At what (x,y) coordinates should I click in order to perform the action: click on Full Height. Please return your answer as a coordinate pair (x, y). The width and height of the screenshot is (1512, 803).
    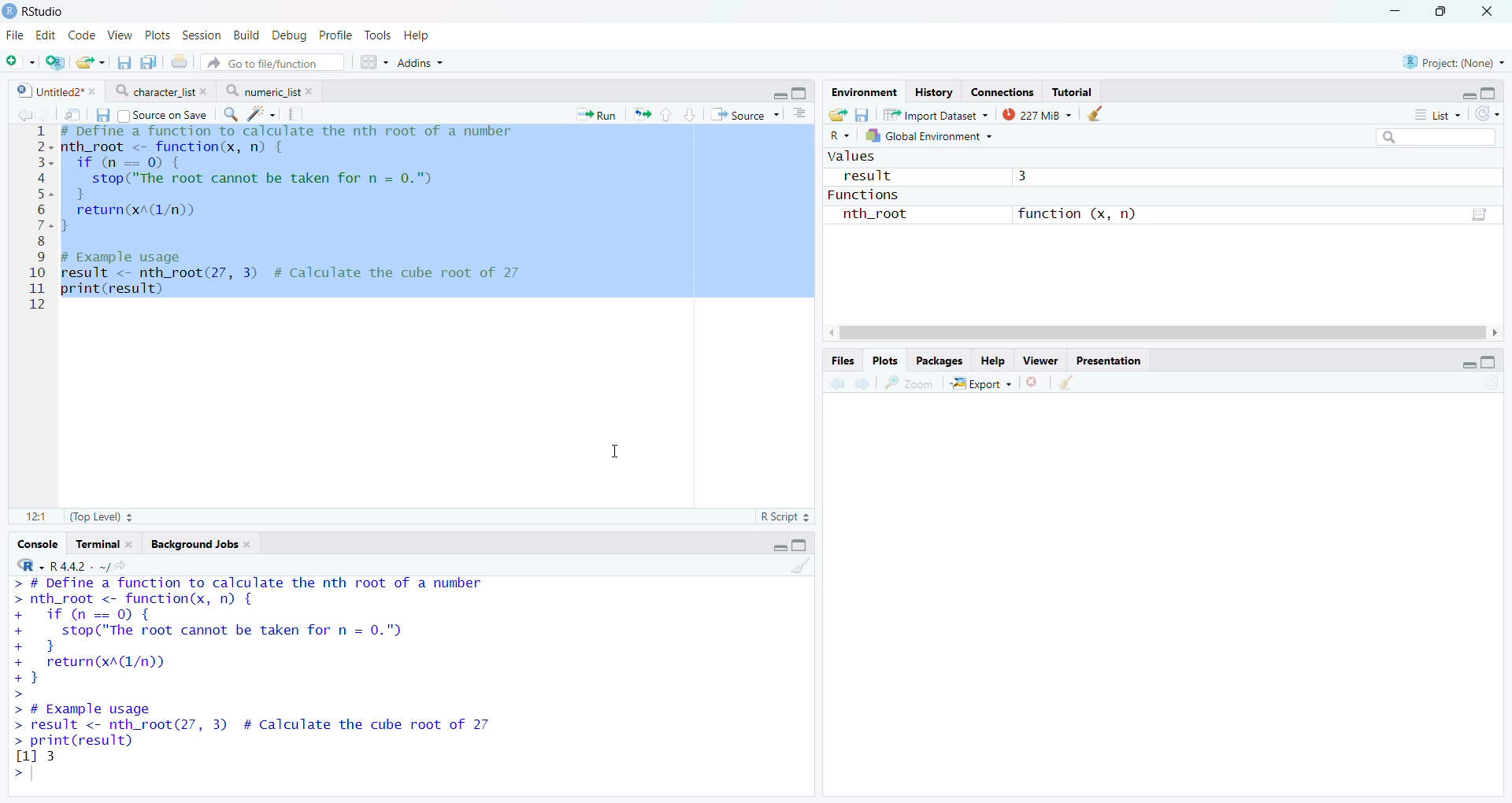
    Looking at the image, I should click on (802, 92).